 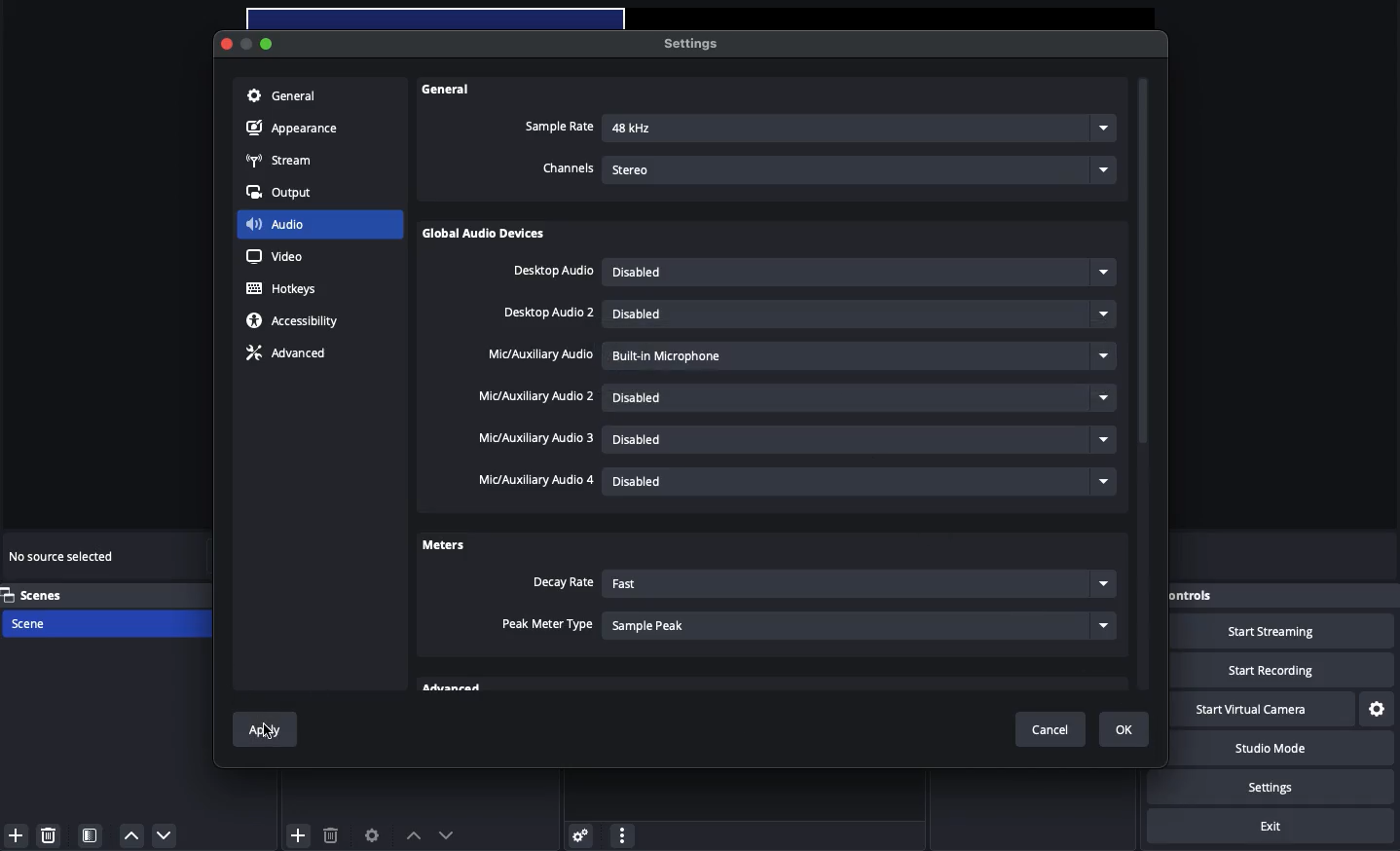 I want to click on Cursor, so click(x=270, y=732).